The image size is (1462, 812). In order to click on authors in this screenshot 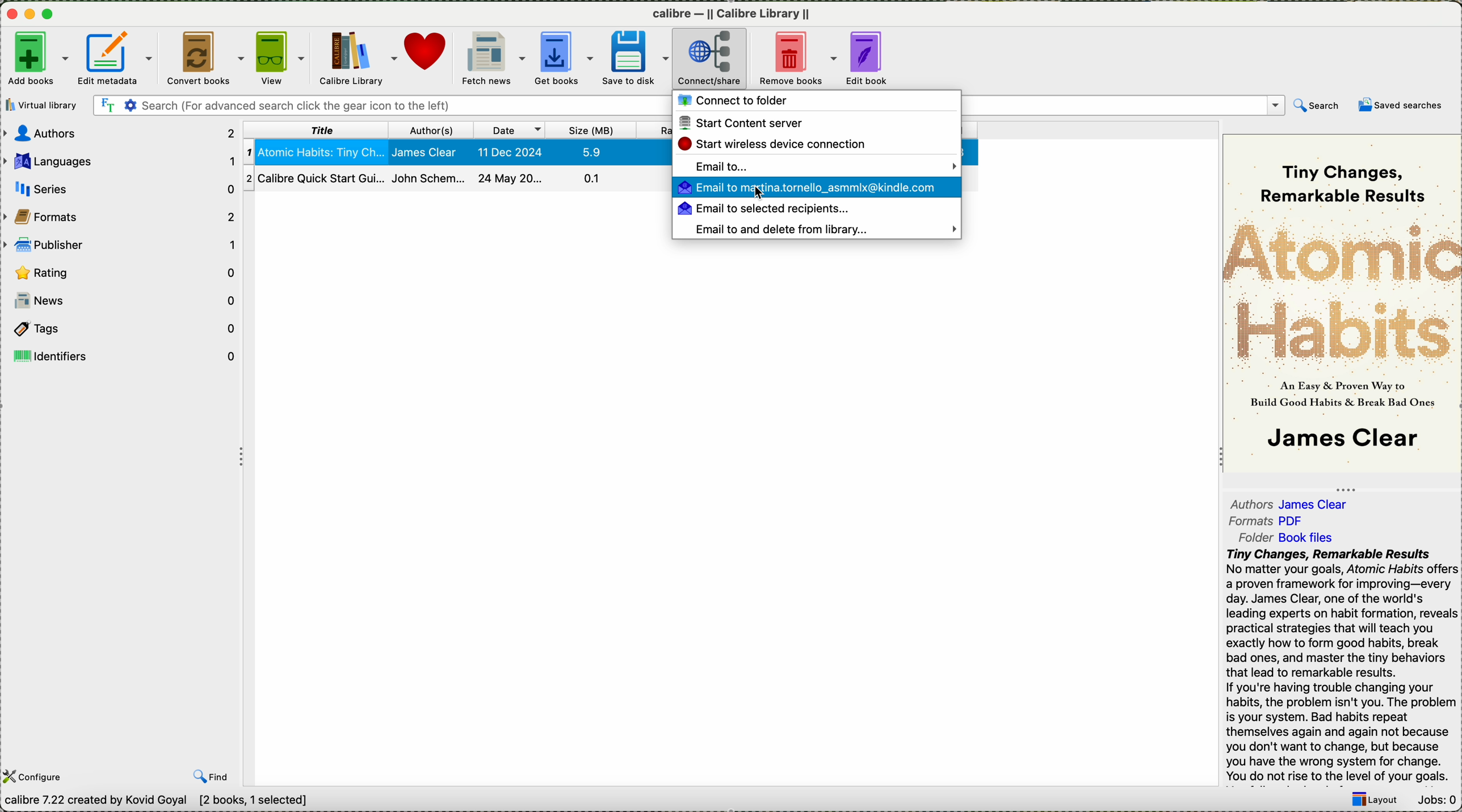, I will do `click(434, 129)`.